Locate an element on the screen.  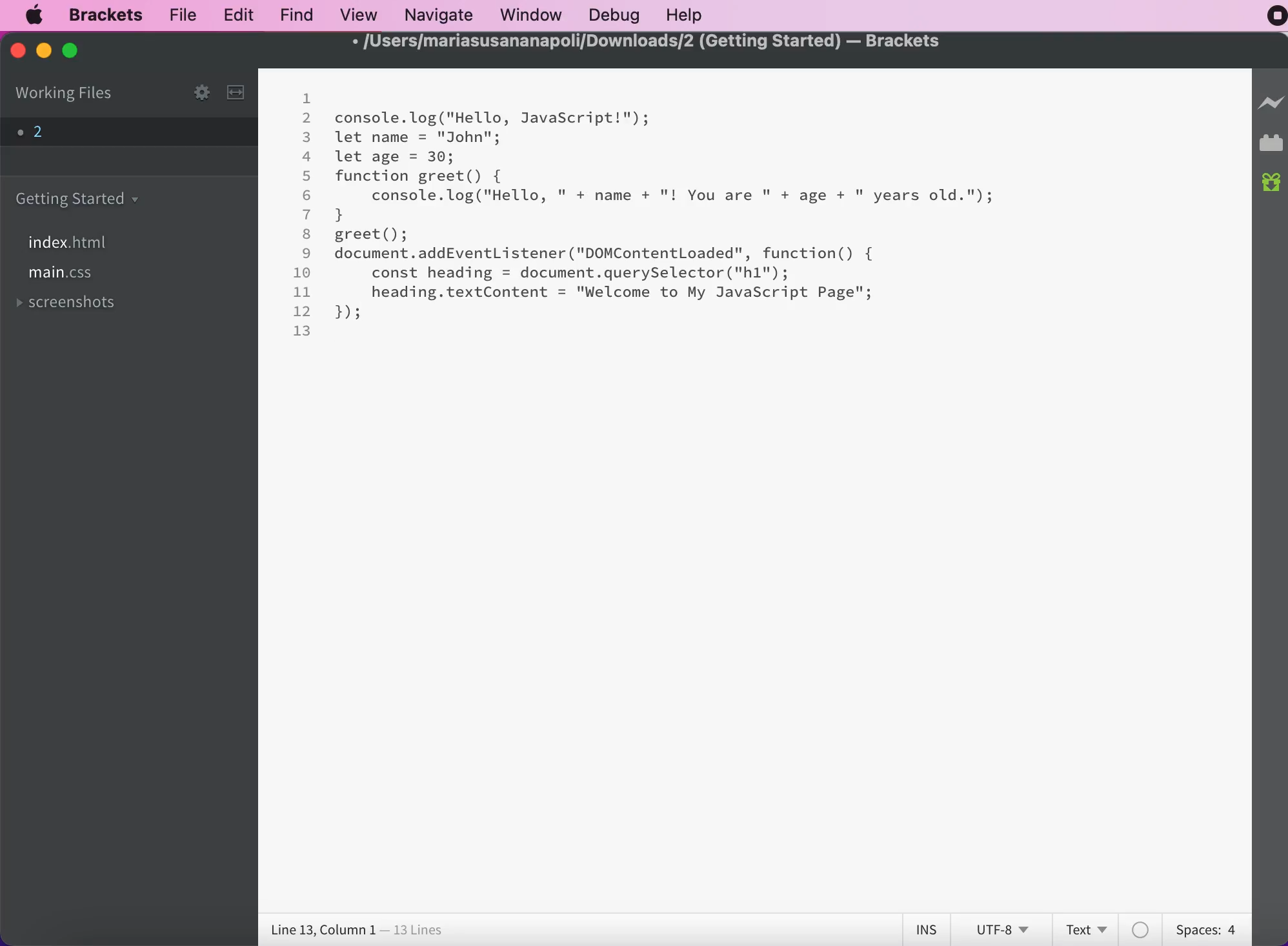
file main.css is located at coordinates (68, 276).